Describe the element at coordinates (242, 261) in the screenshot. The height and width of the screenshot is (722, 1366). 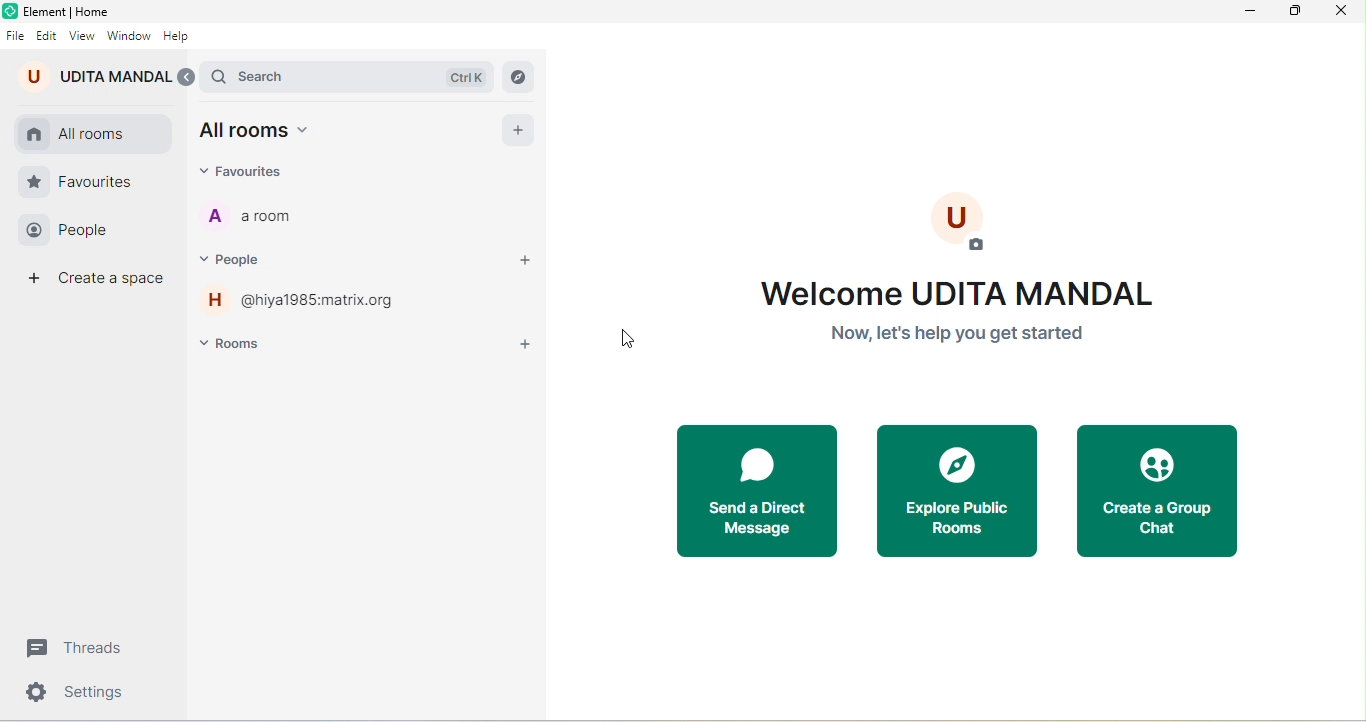
I see `people` at that location.